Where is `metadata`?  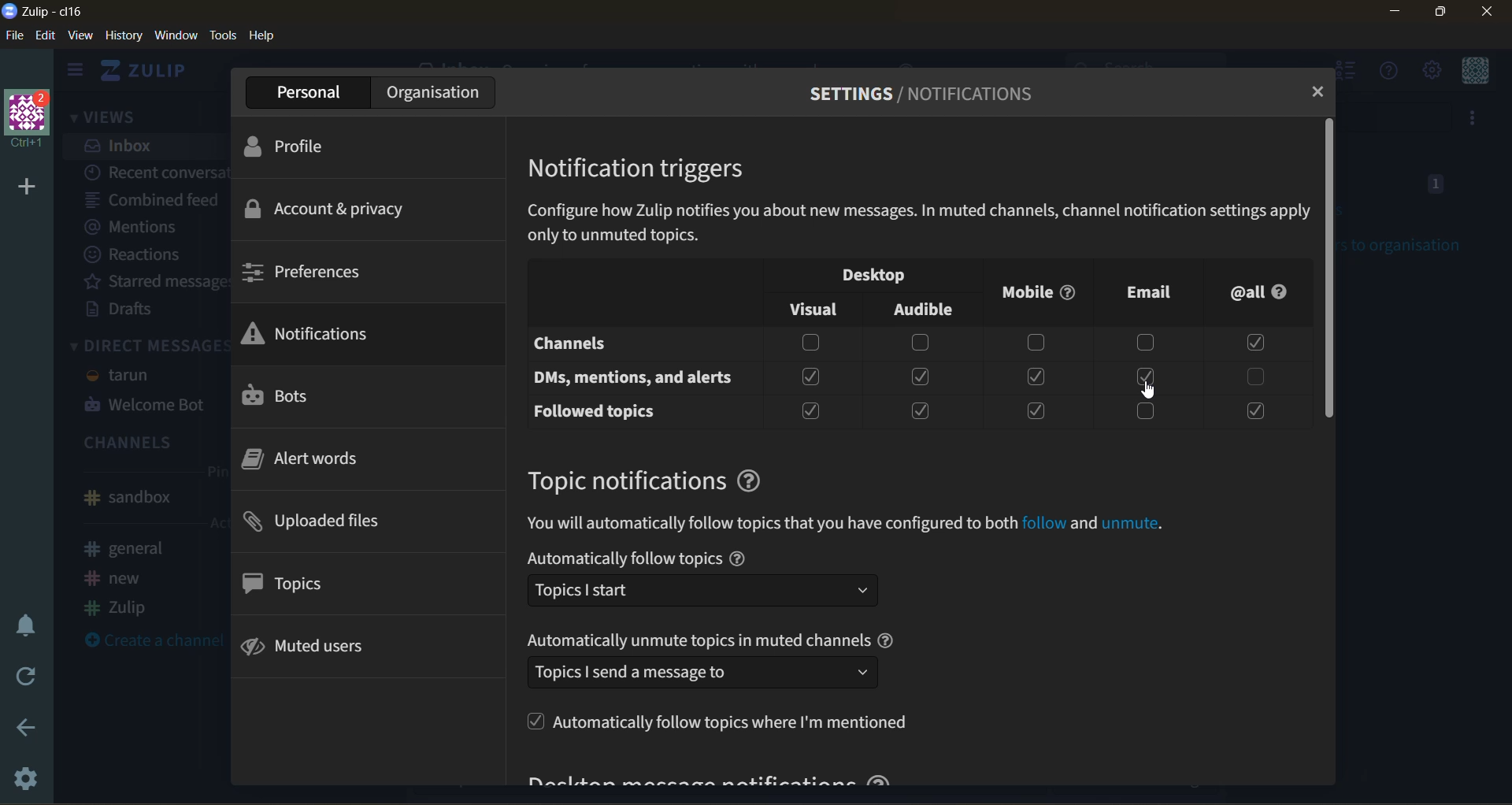 metadata is located at coordinates (851, 522).